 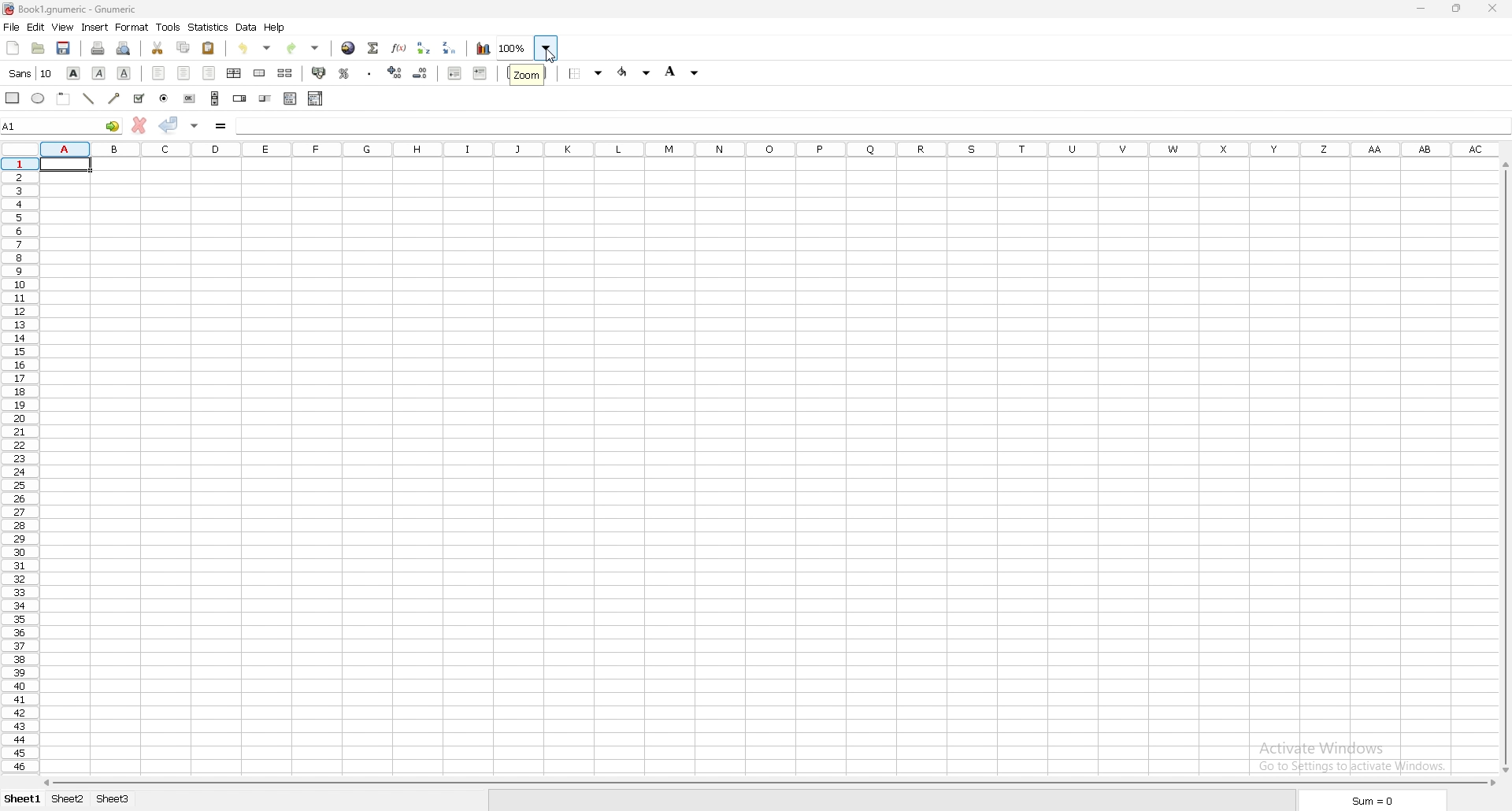 What do you see at coordinates (13, 98) in the screenshot?
I see `rectangle` at bounding box center [13, 98].